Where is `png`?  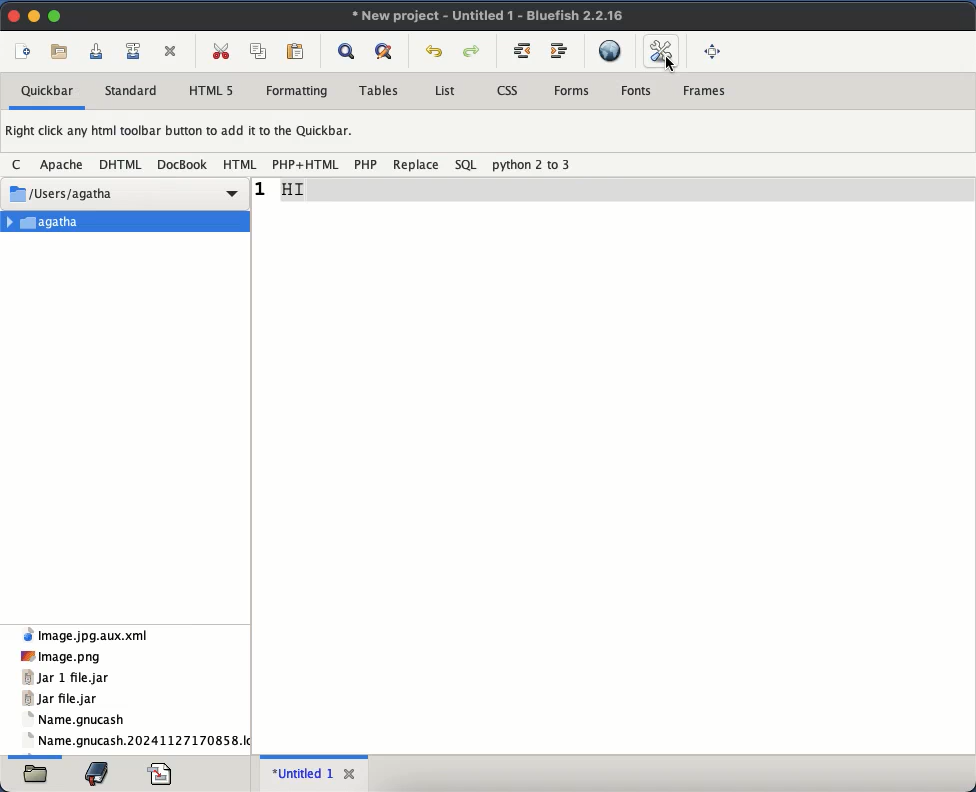
png is located at coordinates (59, 655).